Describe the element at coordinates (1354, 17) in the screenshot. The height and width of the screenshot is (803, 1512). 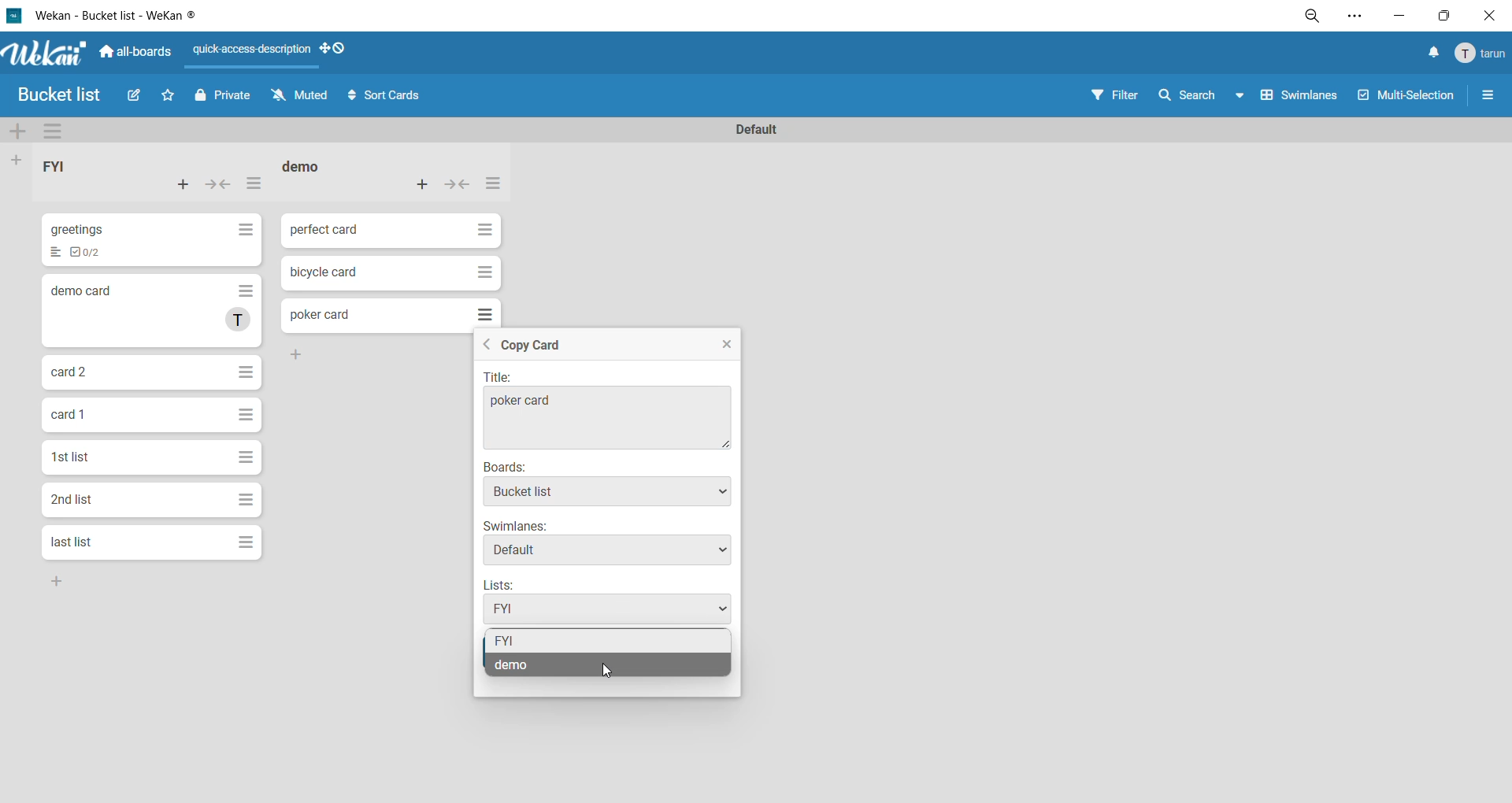
I see `settings` at that location.